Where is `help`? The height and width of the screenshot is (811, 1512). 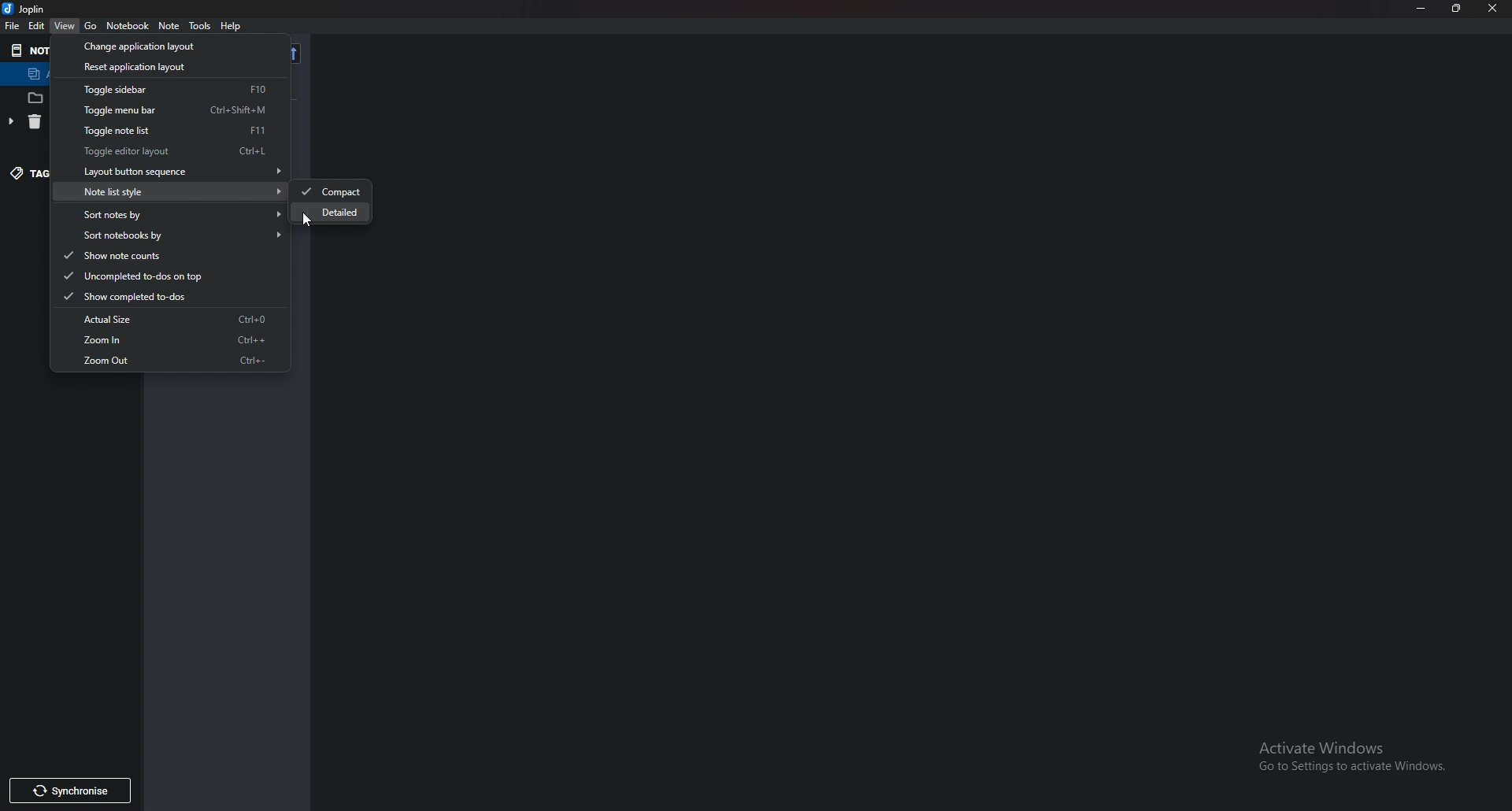
help is located at coordinates (232, 27).